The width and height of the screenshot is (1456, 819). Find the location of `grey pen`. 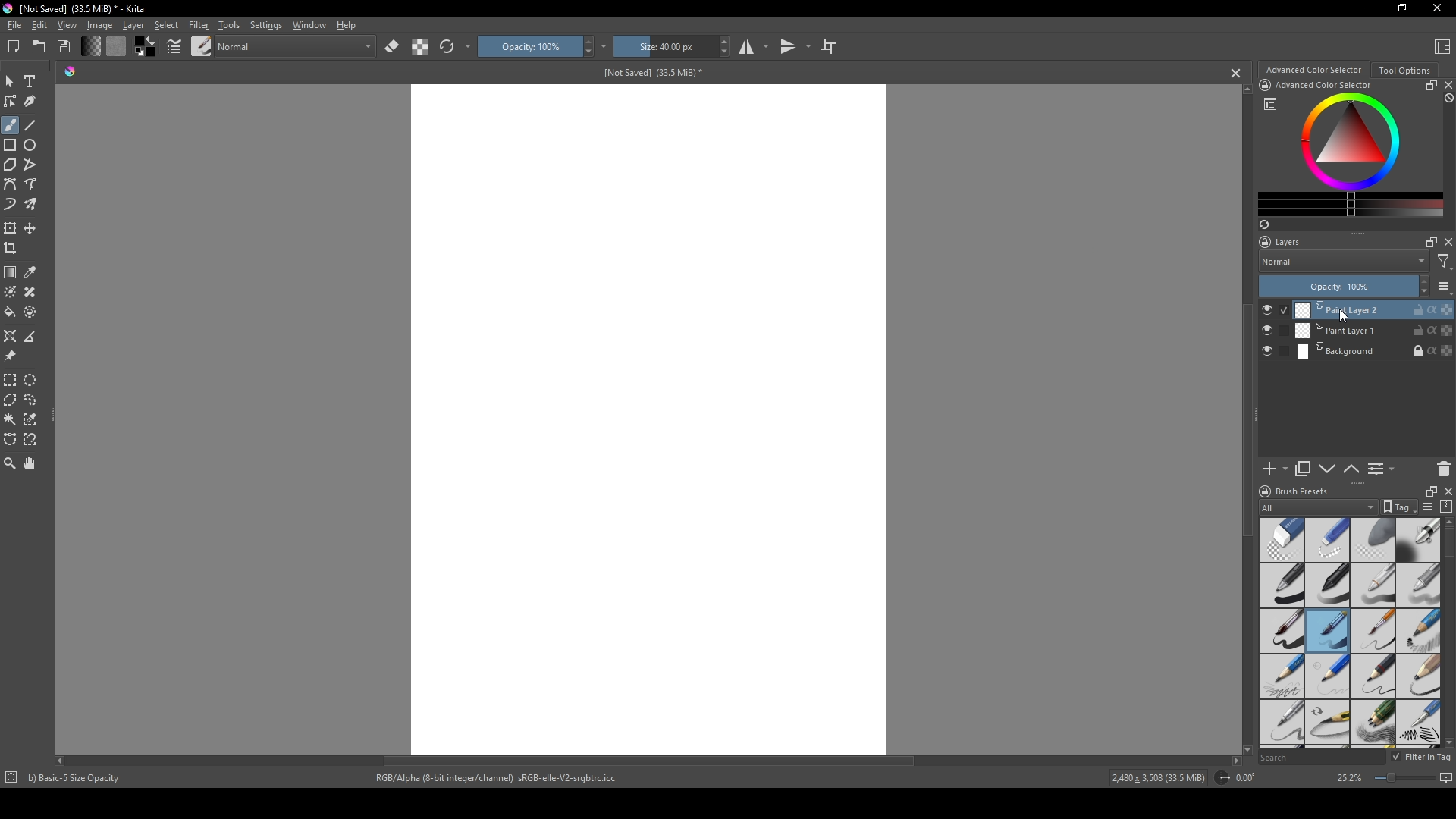

grey pen is located at coordinates (1418, 585).